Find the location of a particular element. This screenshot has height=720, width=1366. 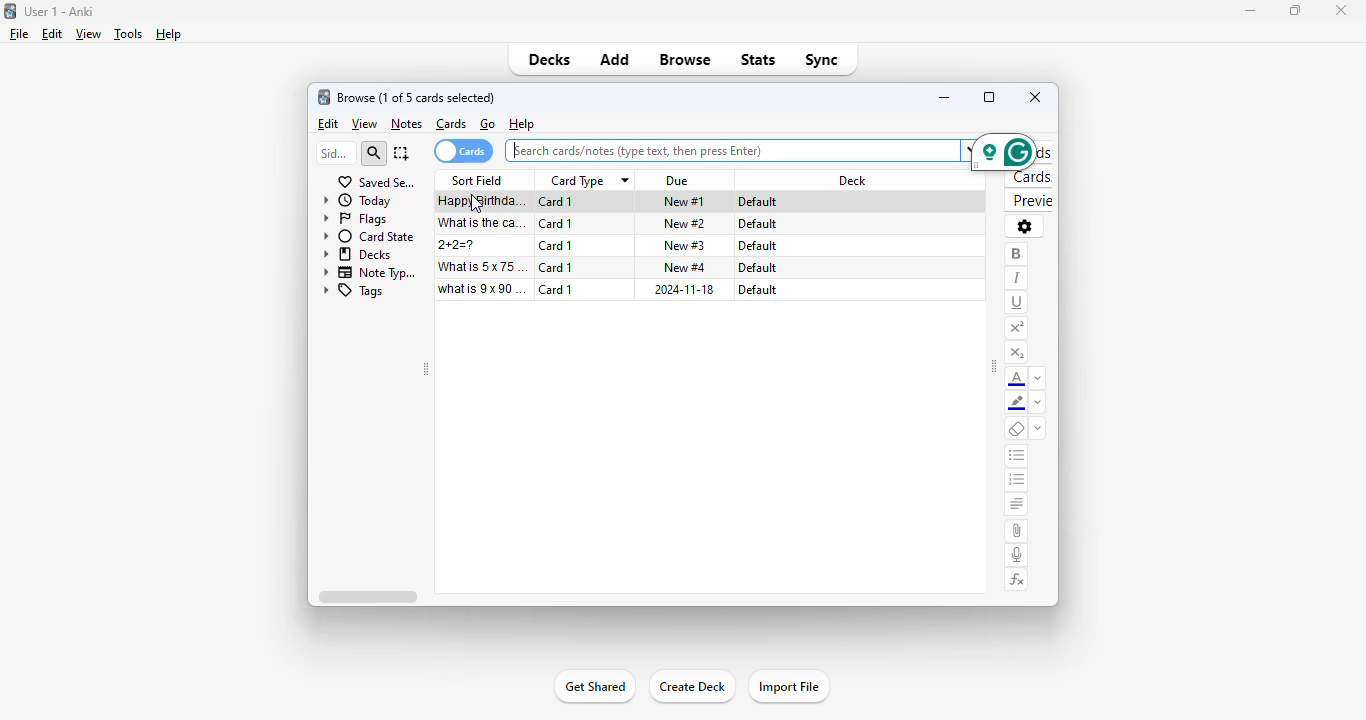

notes is located at coordinates (406, 125).